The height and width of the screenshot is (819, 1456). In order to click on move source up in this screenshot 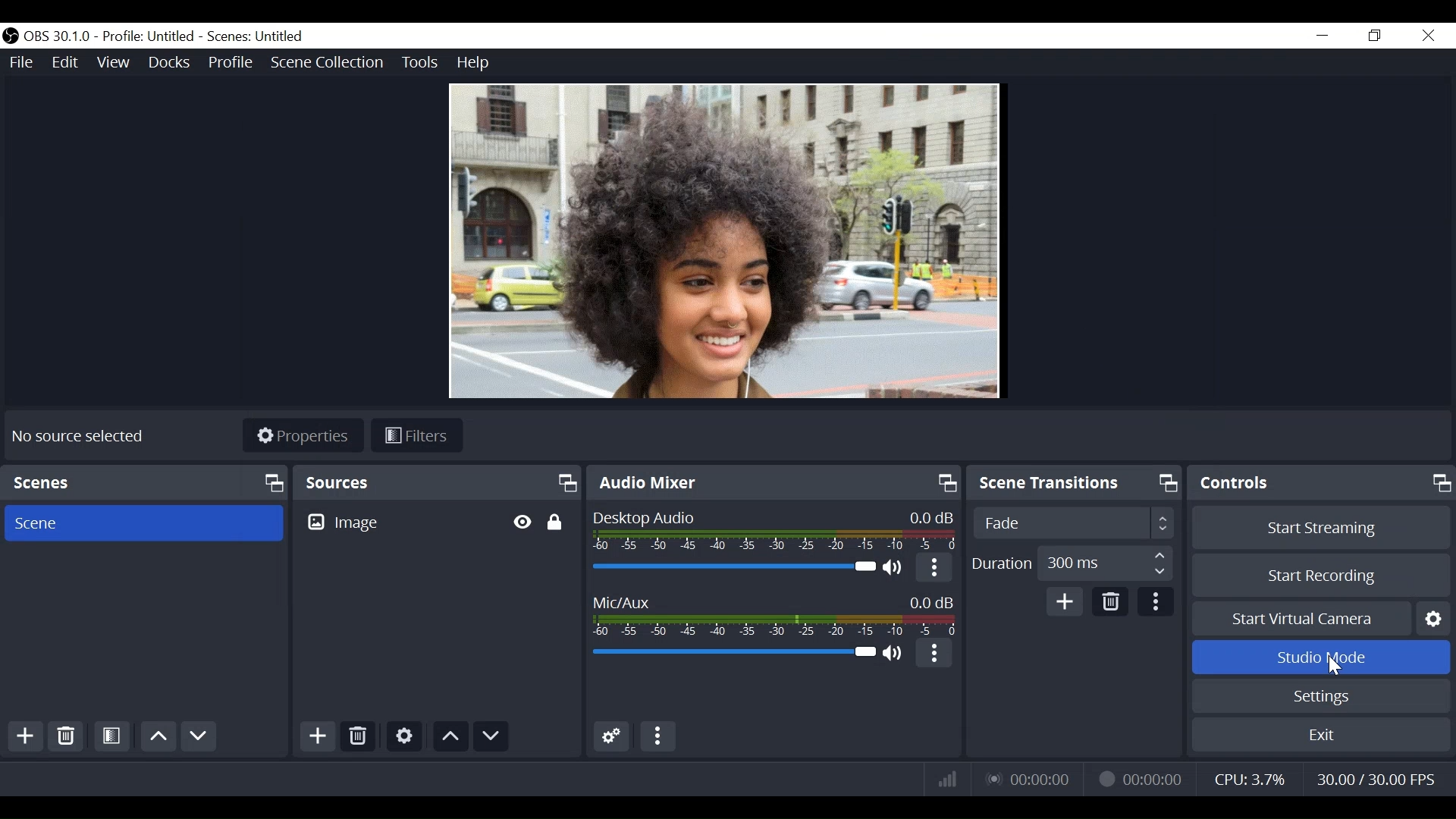, I will do `click(450, 736)`.